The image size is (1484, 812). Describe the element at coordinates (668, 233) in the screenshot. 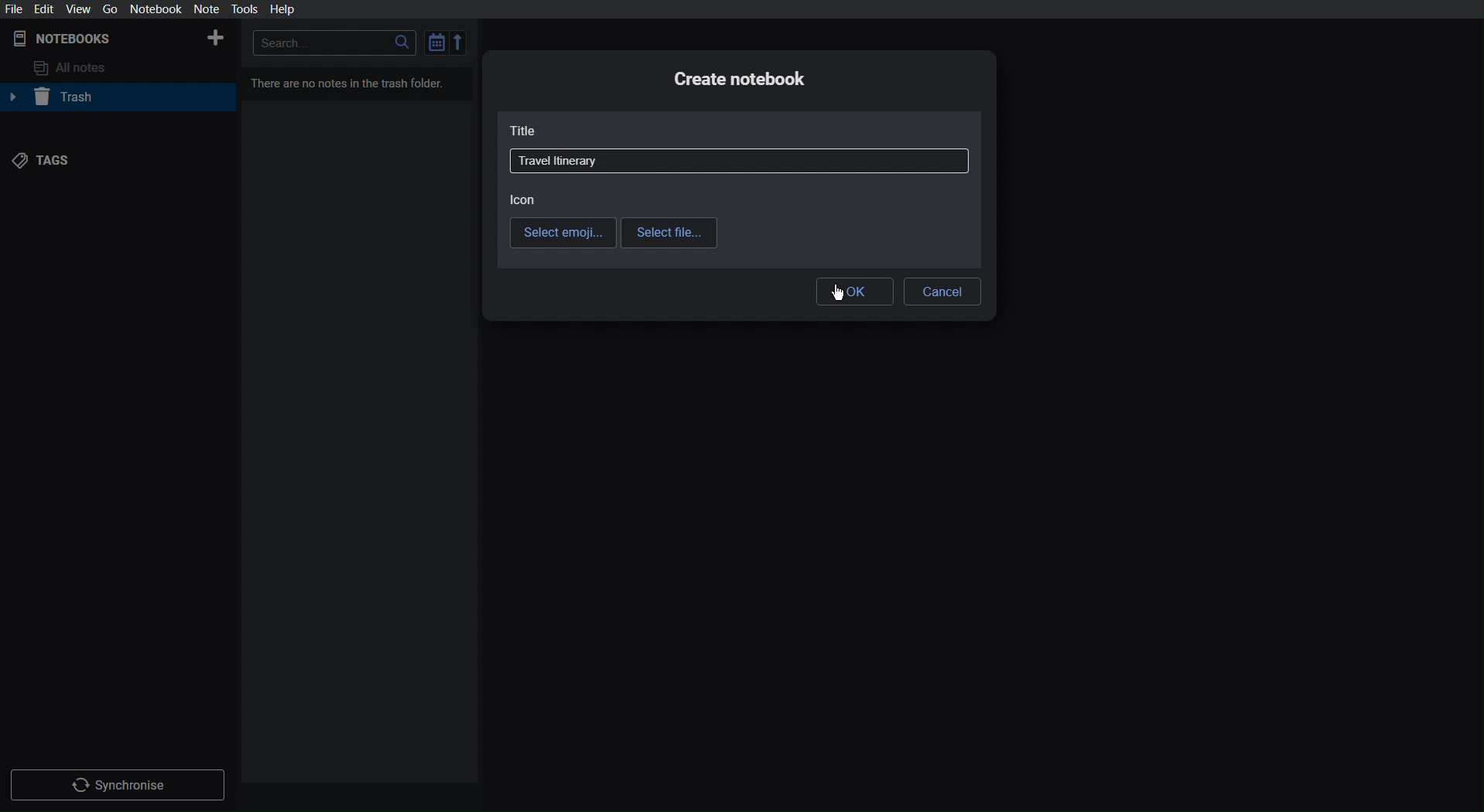

I see `Select file` at that location.